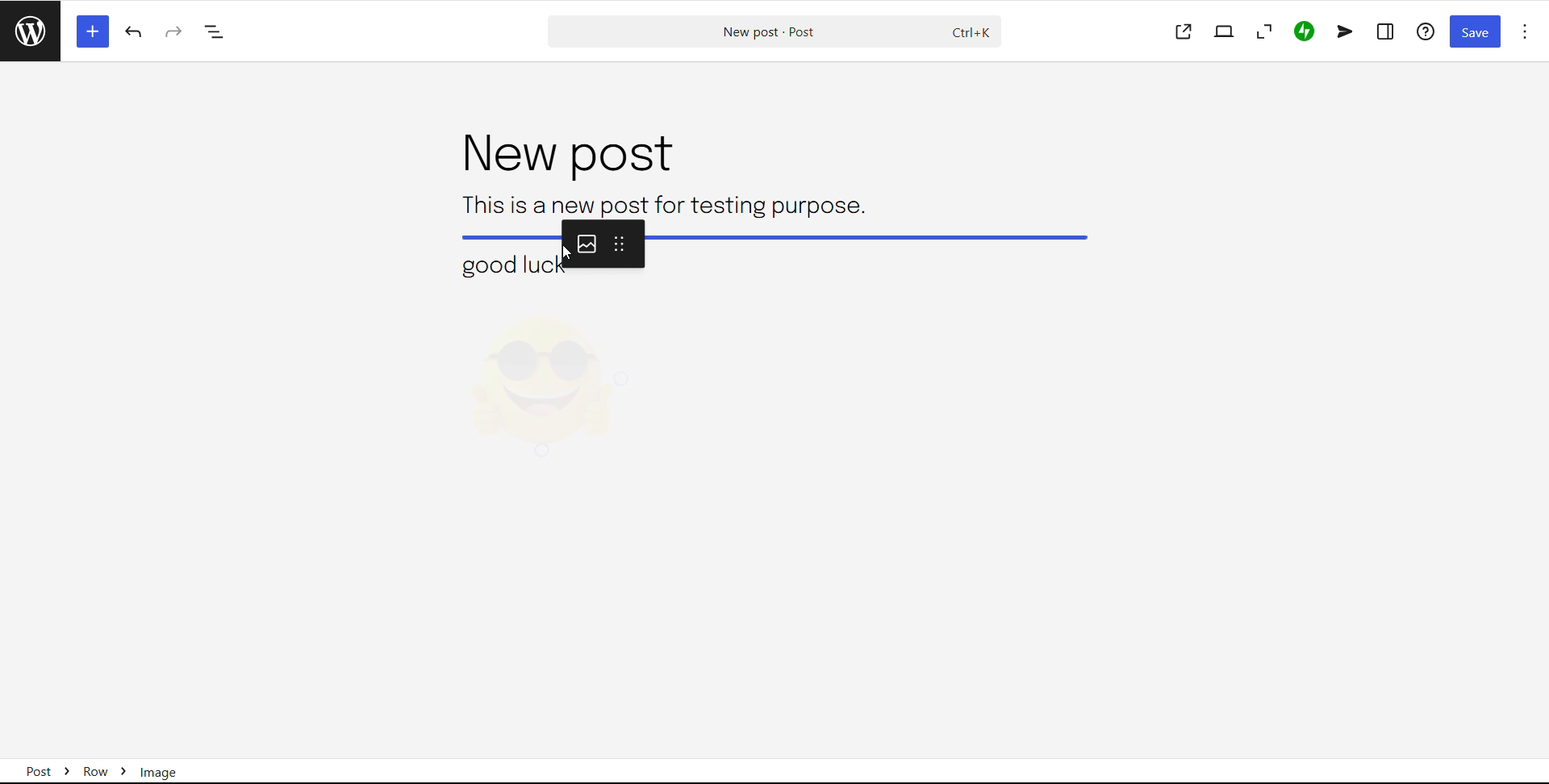 This screenshot has height=784, width=1549. Describe the element at coordinates (1224, 31) in the screenshot. I see `view` at that location.